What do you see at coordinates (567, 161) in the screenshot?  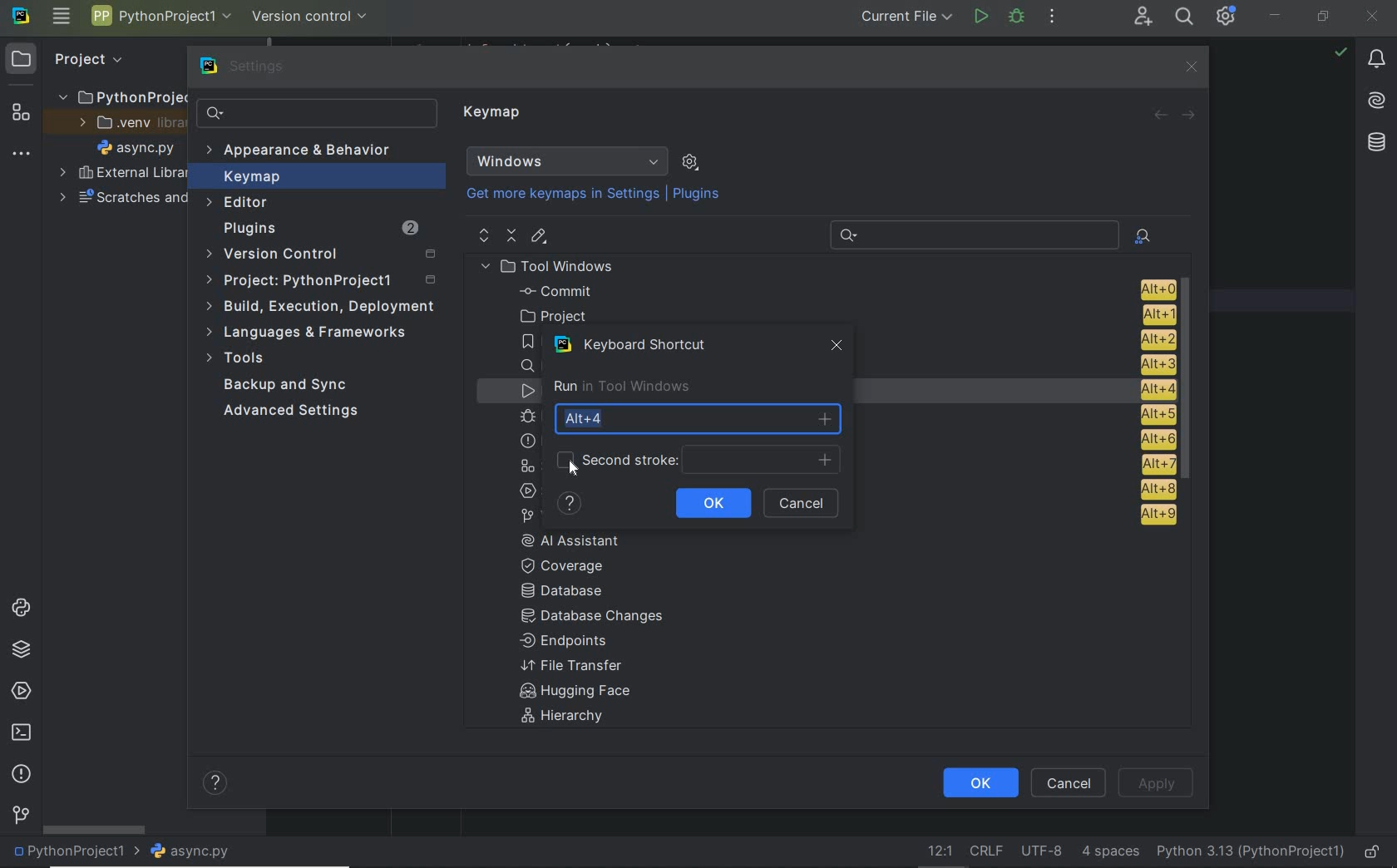 I see `Windows` at bounding box center [567, 161].